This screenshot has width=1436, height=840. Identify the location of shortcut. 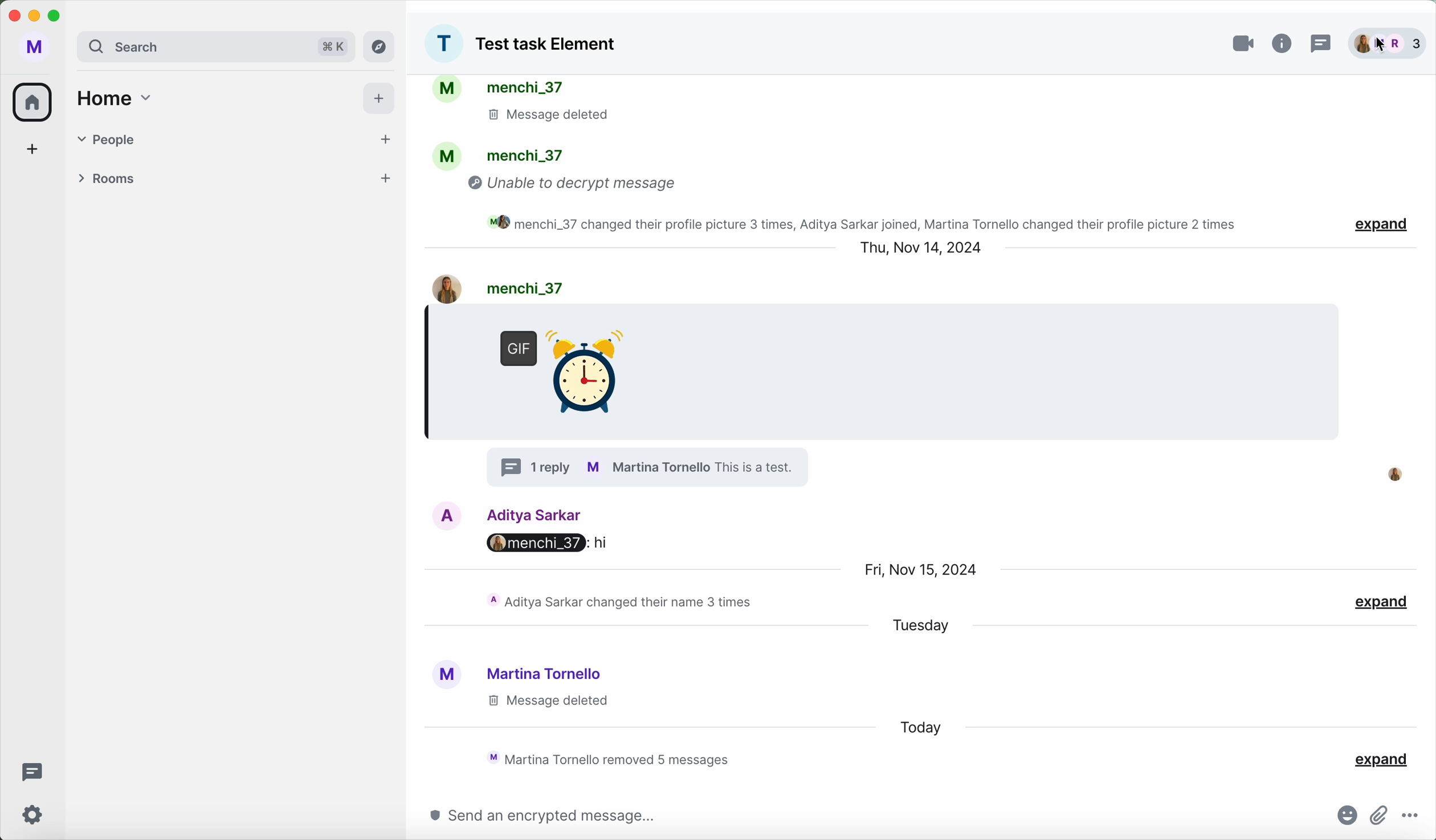
(336, 48).